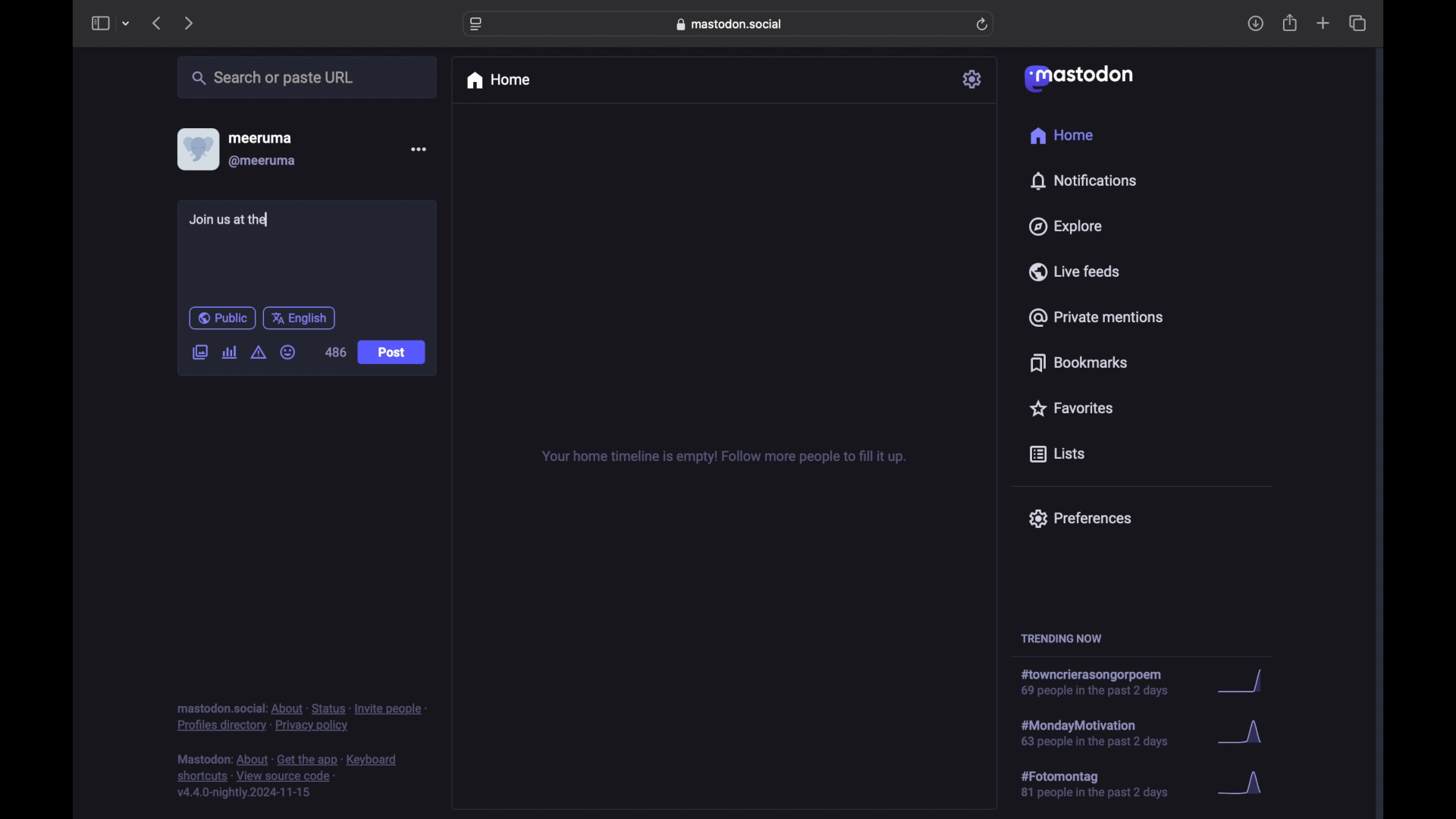 The image size is (1456, 819). What do you see at coordinates (190, 23) in the screenshot?
I see `next` at bounding box center [190, 23].